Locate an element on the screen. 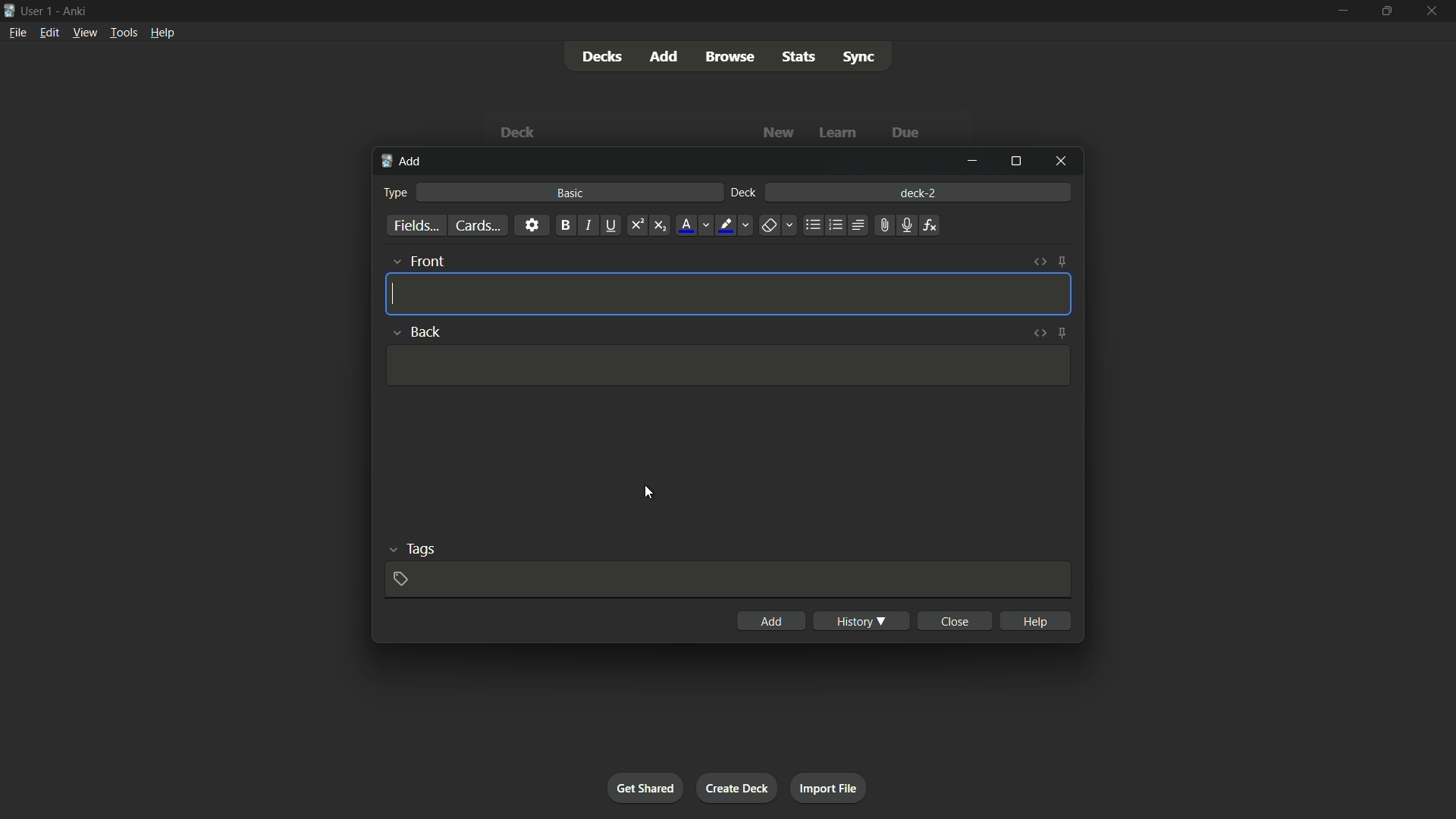  highlight text is located at coordinates (736, 226).